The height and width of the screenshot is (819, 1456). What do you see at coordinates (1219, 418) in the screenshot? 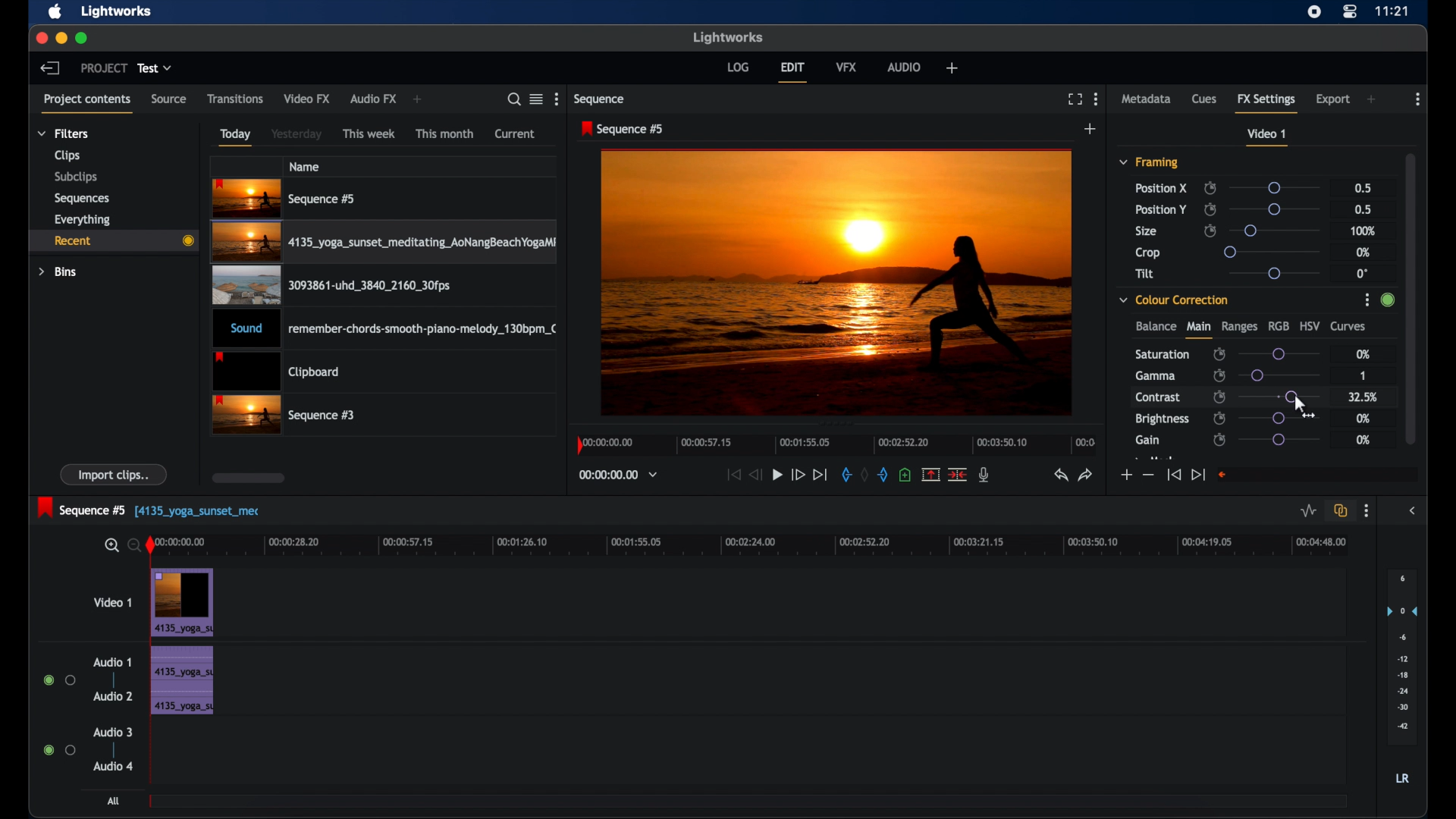
I see `enable/disable keyframes` at bounding box center [1219, 418].